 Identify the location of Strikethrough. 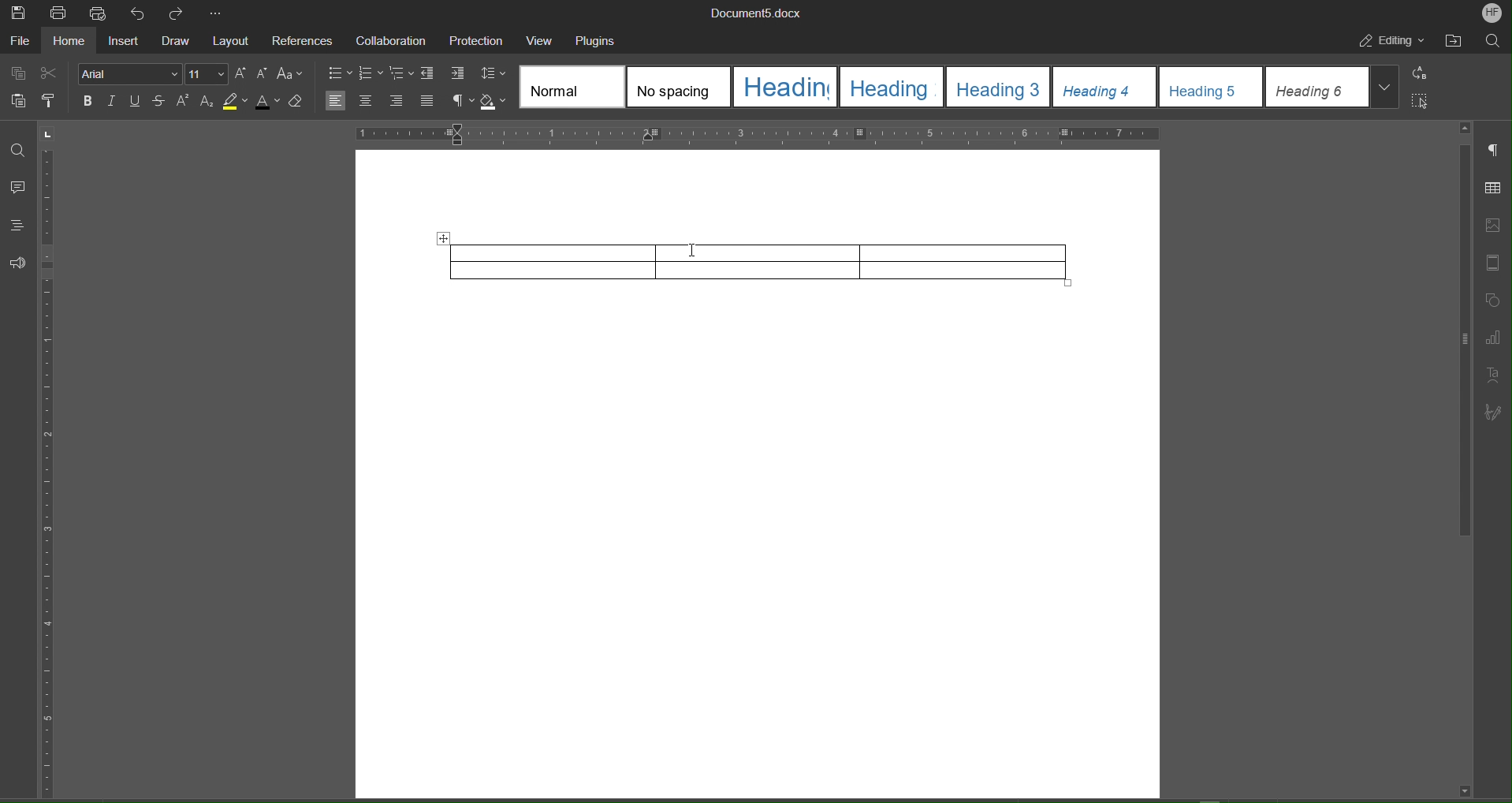
(160, 102).